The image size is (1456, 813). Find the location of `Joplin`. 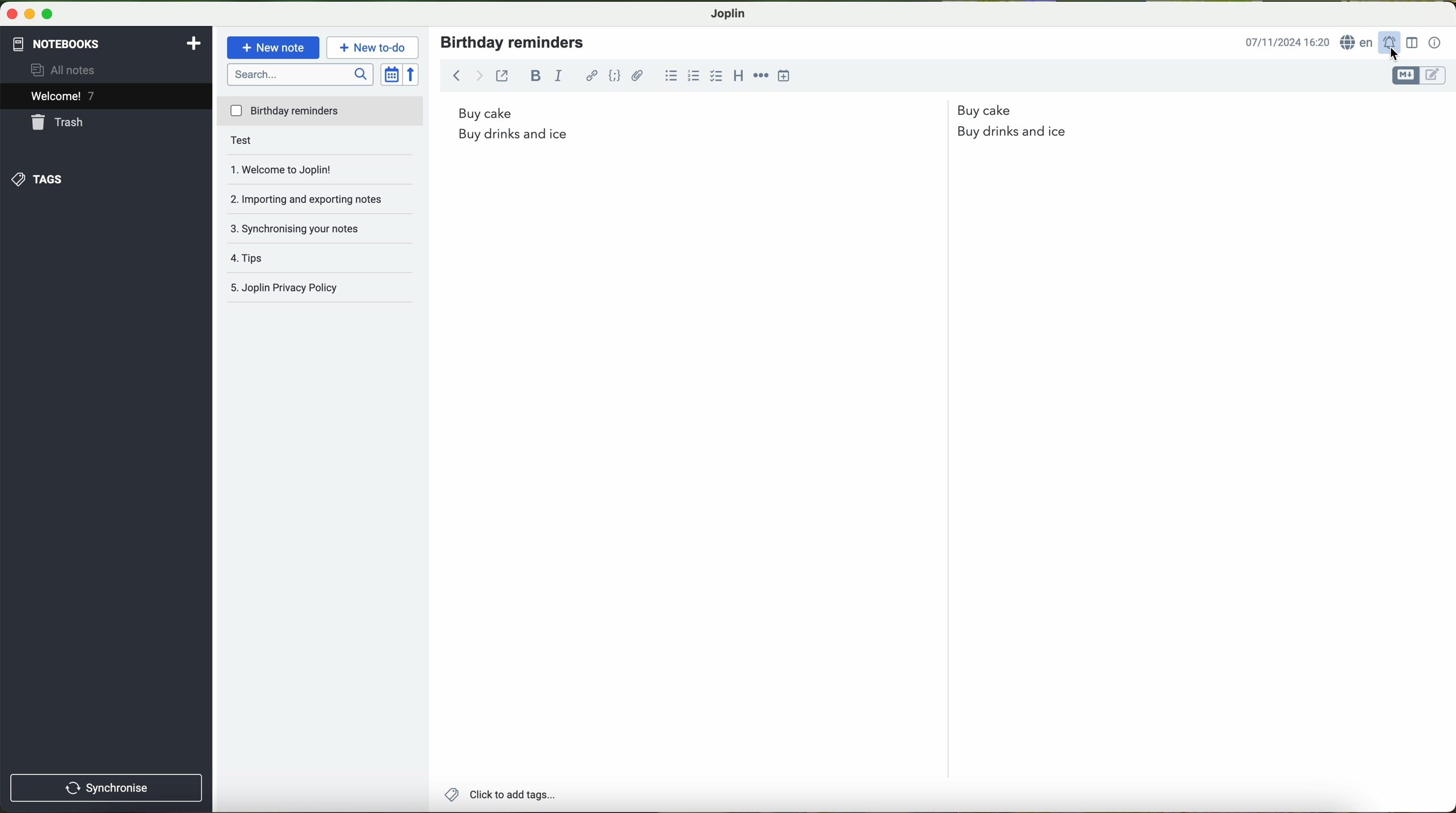

Joplin is located at coordinates (728, 15).